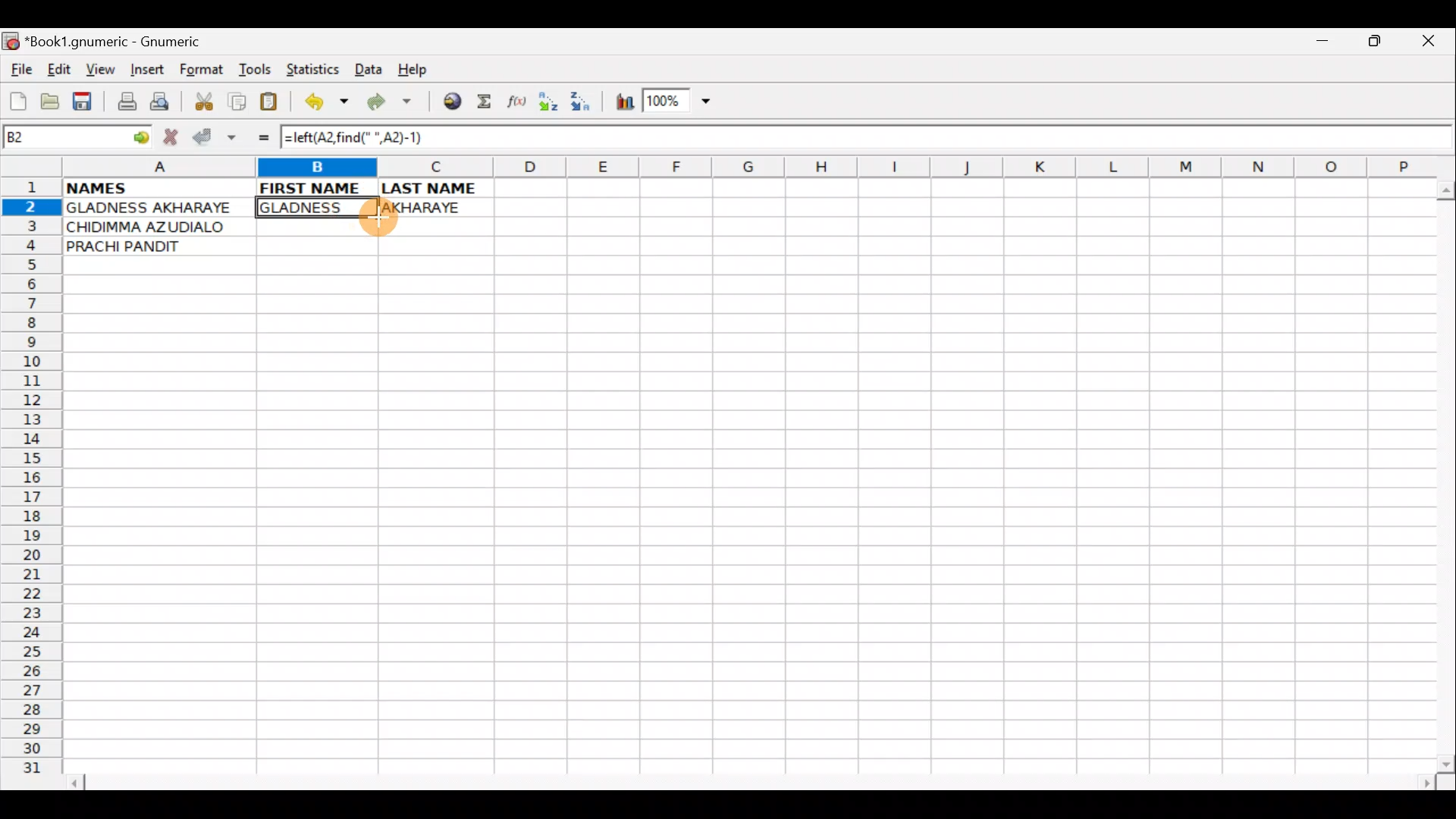  What do you see at coordinates (140, 135) in the screenshot?
I see `go to` at bounding box center [140, 135].